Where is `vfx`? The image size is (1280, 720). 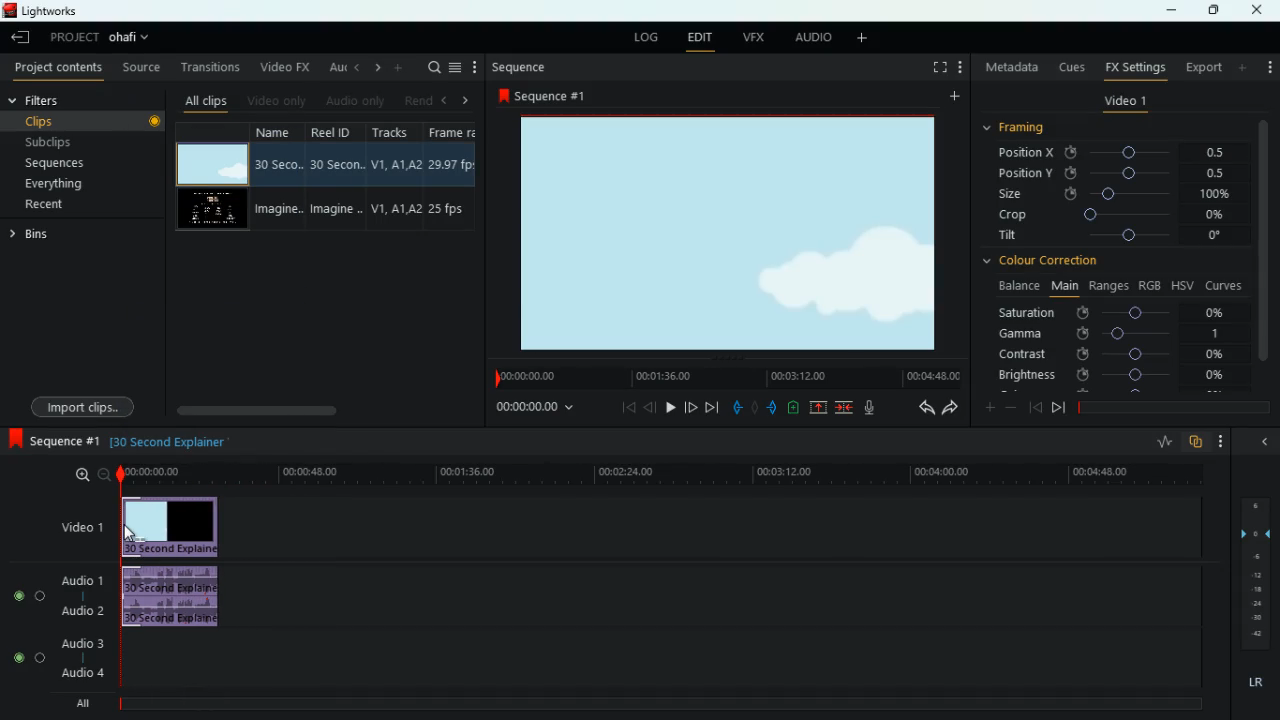 vfx is located at coordinates (750, 38).